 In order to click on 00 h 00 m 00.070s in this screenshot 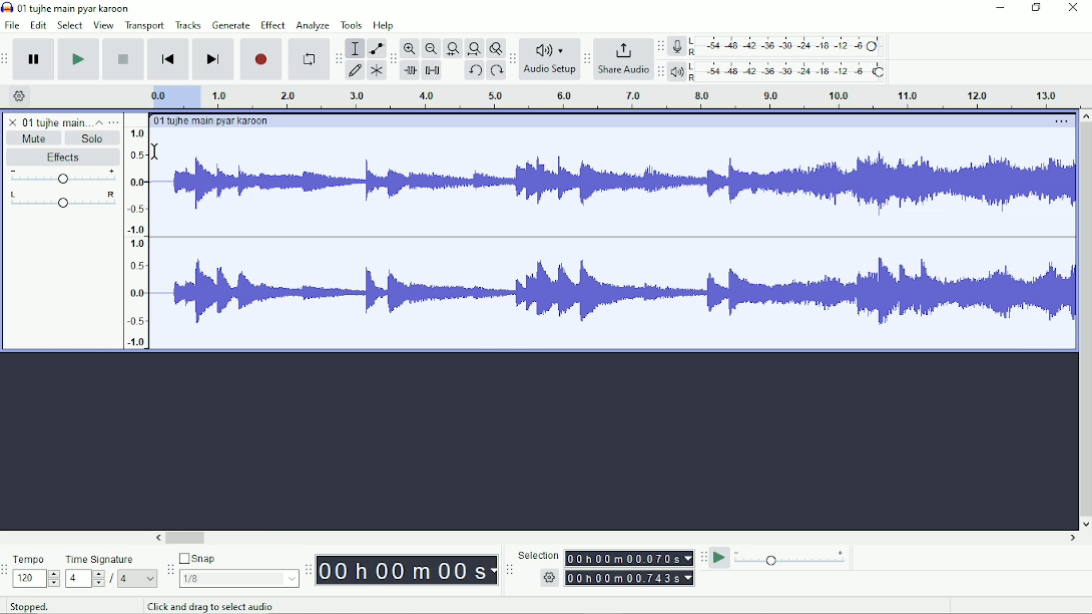, I will do `click(628, 558)`.